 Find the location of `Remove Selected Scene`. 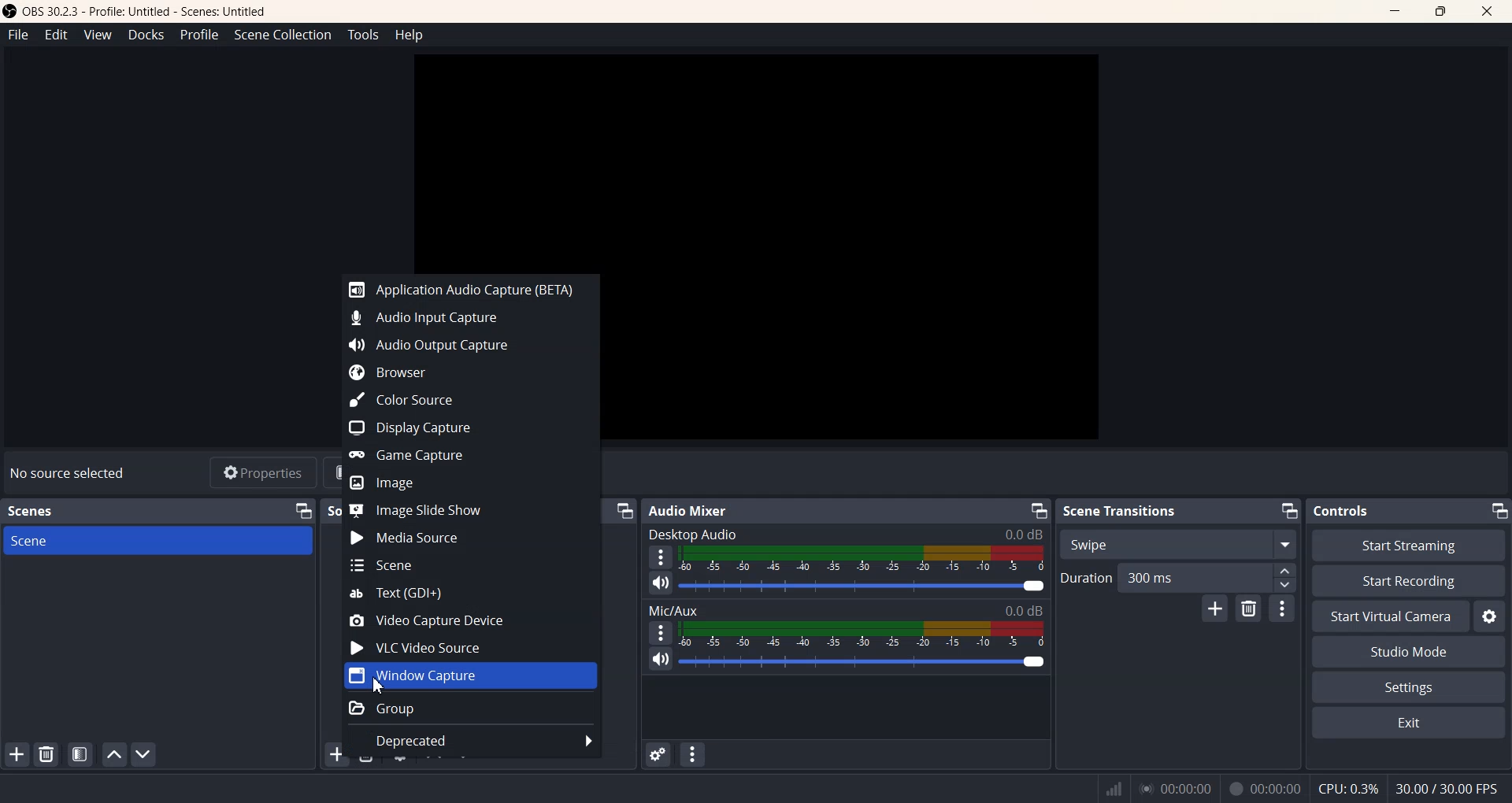

Remove Selected Scene is located at coordinates (46, 755).